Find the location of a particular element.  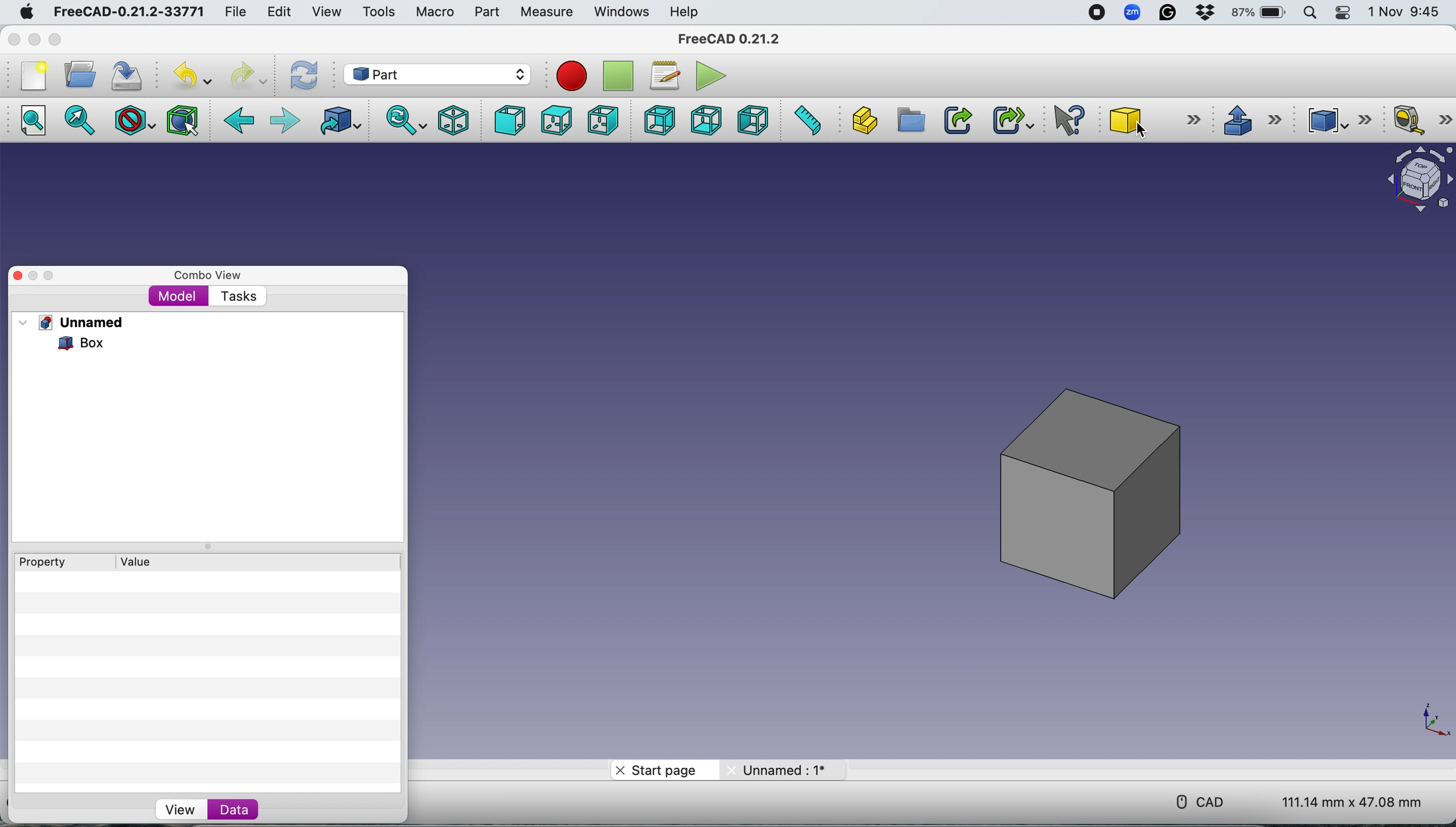

Windows is located at coordinates (622, 12).